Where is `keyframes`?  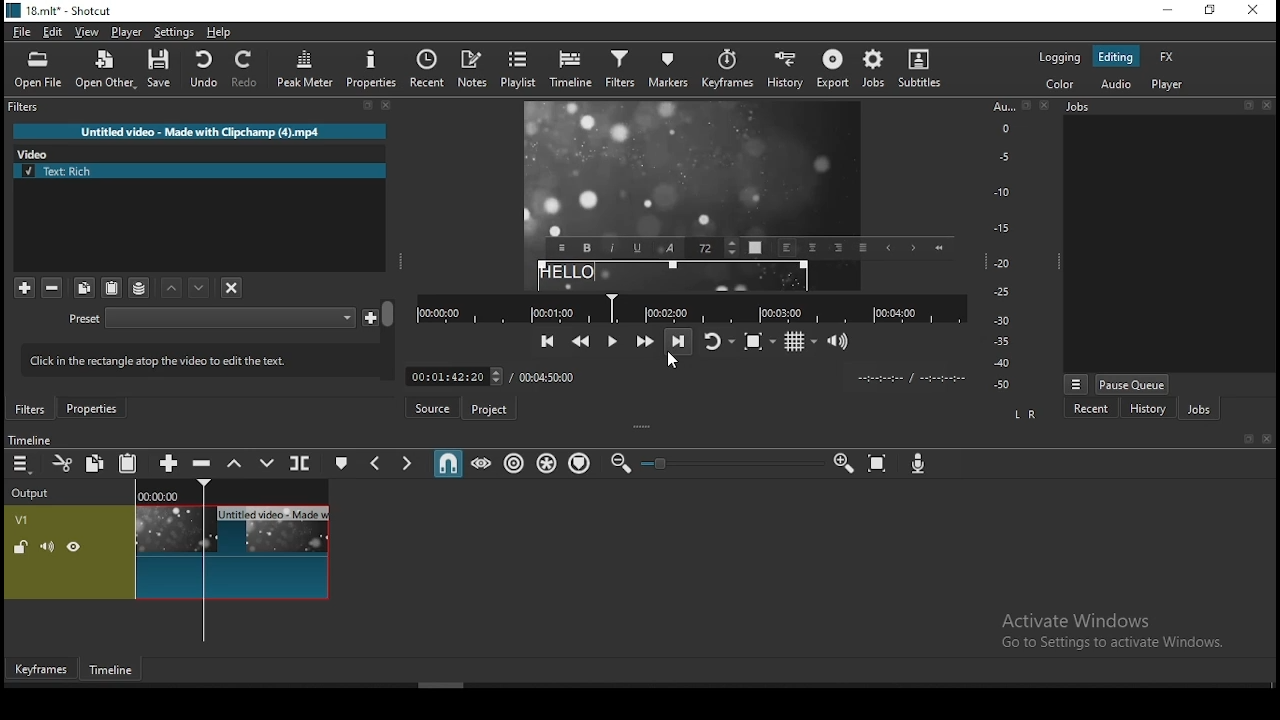
keyframes is located at coordinates (42, 669).